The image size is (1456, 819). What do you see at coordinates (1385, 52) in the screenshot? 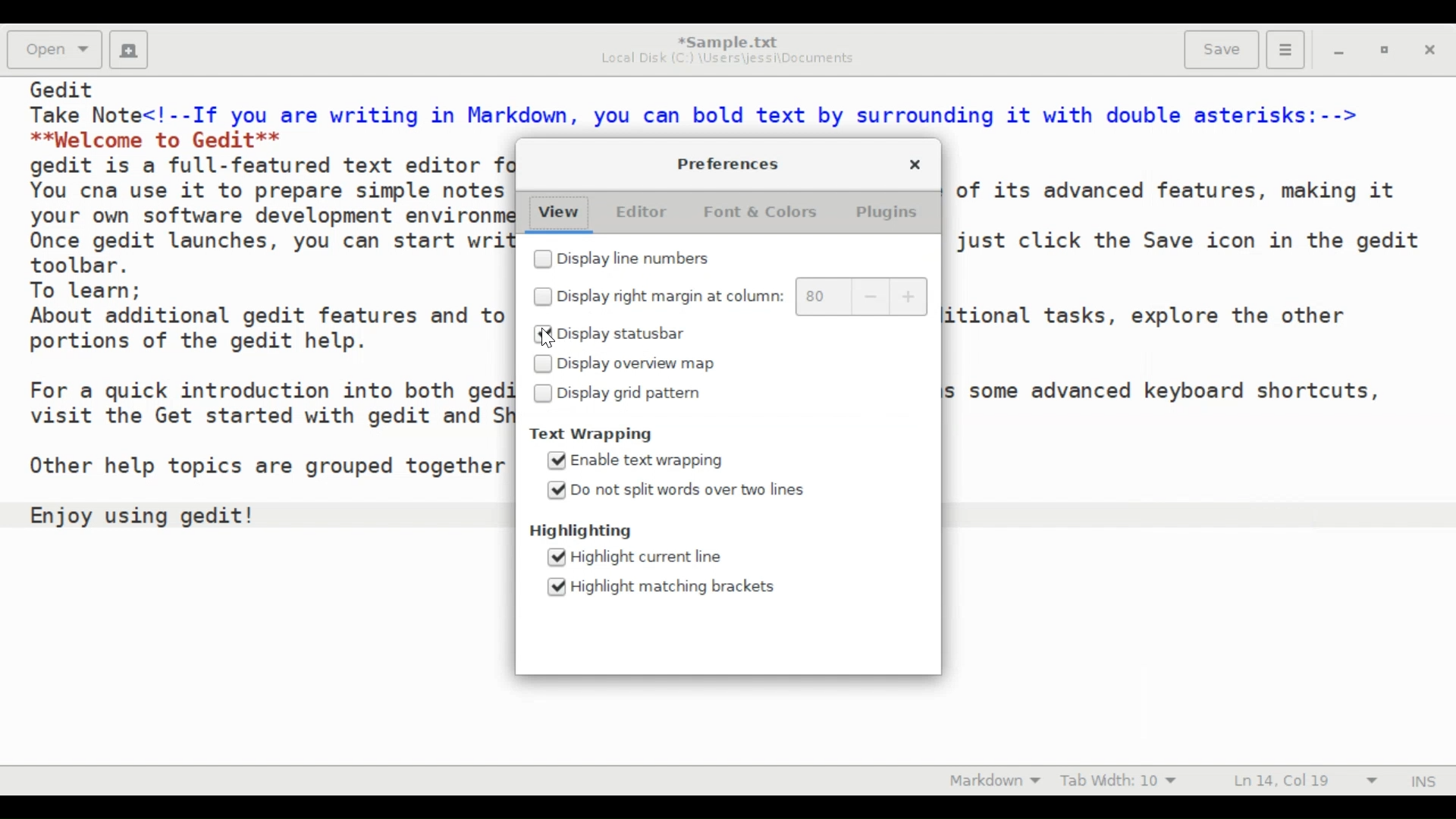
I see `restore` at bounding box center [1385, 52].